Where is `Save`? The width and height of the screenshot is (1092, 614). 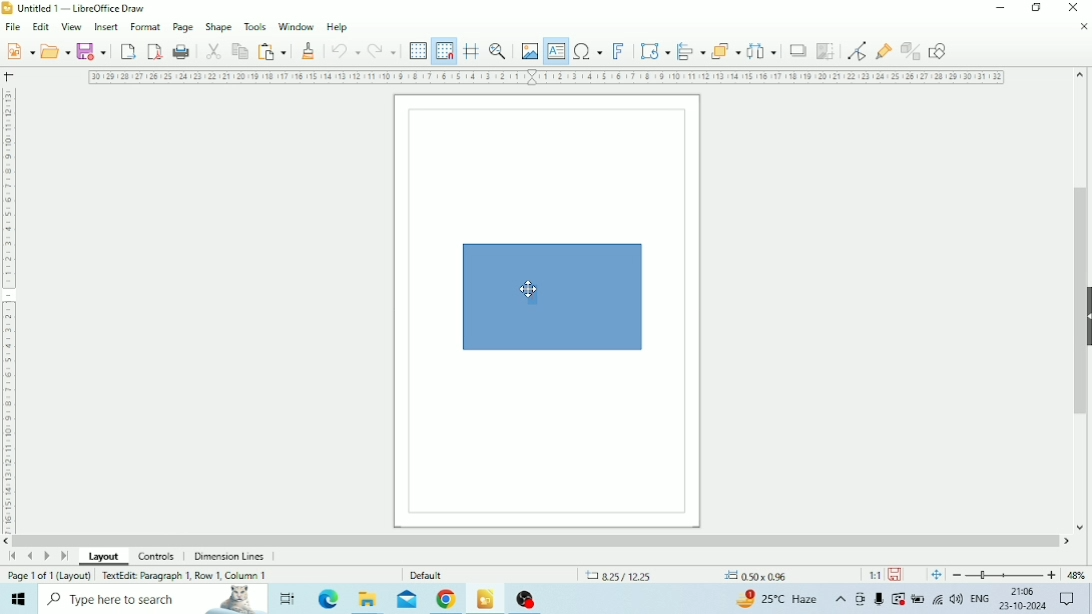 Save is located at coordinates (896, 574).